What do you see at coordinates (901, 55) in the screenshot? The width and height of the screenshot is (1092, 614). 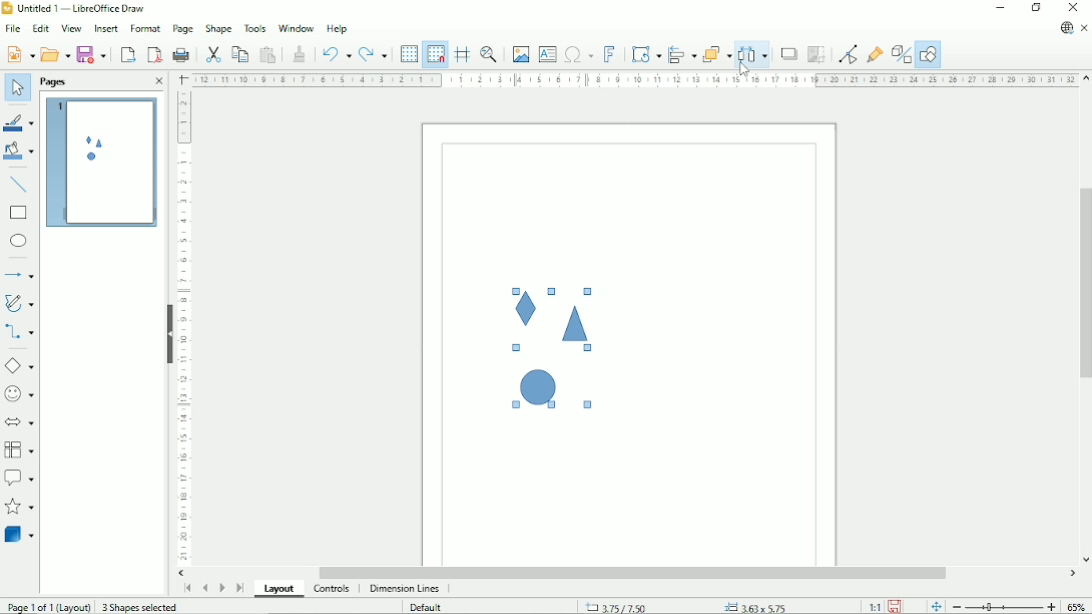 I see `Toggle extrusion` at bounding box center [901, 55].